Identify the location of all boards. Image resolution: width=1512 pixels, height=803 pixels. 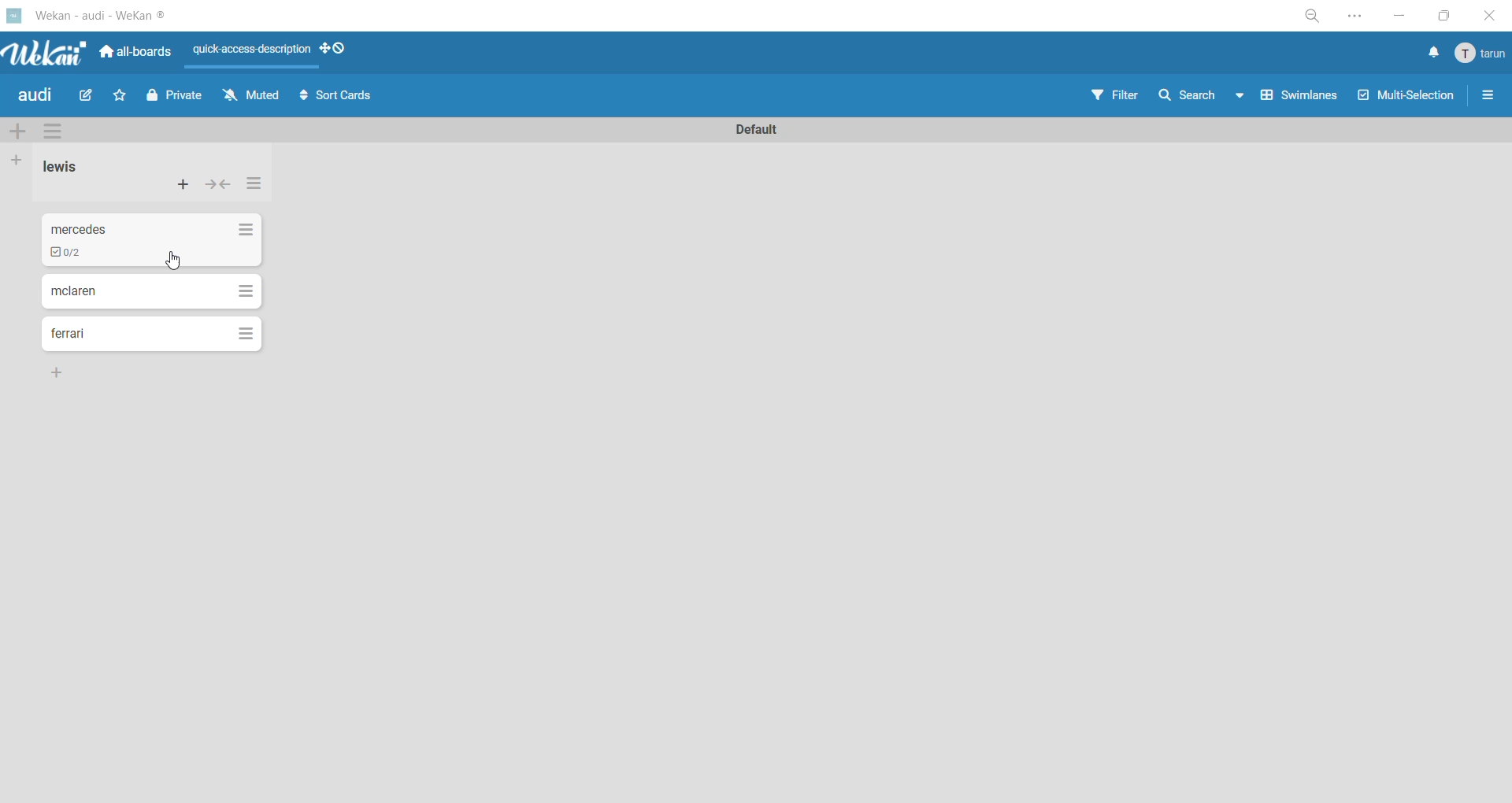
(136, 50).